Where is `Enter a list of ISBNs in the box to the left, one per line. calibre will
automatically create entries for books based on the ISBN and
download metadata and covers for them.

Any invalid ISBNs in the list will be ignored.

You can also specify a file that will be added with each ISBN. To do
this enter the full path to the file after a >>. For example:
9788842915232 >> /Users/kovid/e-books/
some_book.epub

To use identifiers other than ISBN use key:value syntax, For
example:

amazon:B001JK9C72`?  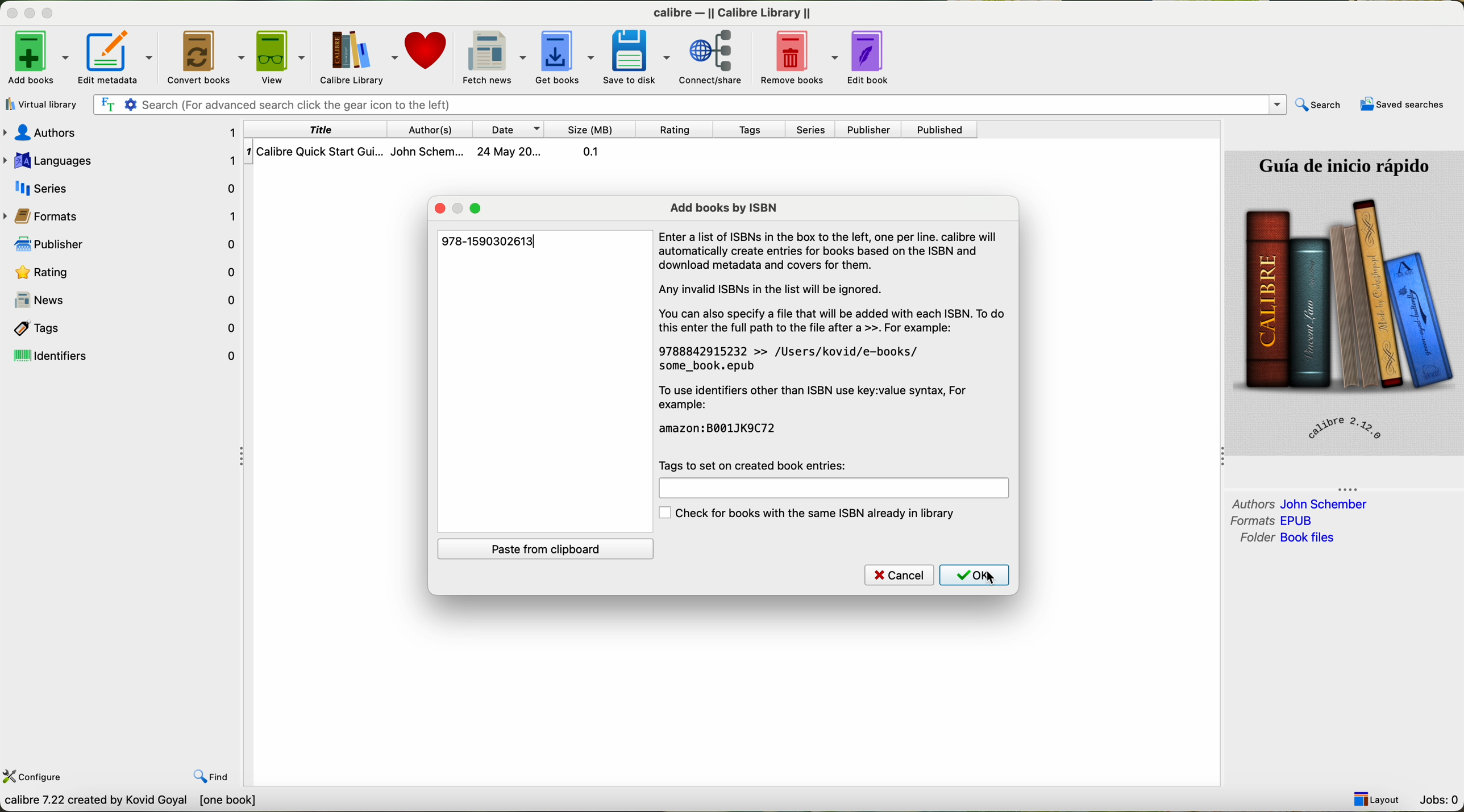 Enter a list of ISBNs in the box to the left, one per line. calibre will
automatically create entries for books based on the ISBN and
download metadata and covers for them.

Any invalid ISBNs in the list will be ignored.

You can also specify a file that will be added with each ISBN. To do
this enter the full path to the file after a >>. For example:
9788842915232 >> /Users/kovid/e-books/
some_book.epub

To use identifiers other than ISBN use key:value syntax, For
example:

amazon:B001JK9C72 is located at coordinates (839, 336).